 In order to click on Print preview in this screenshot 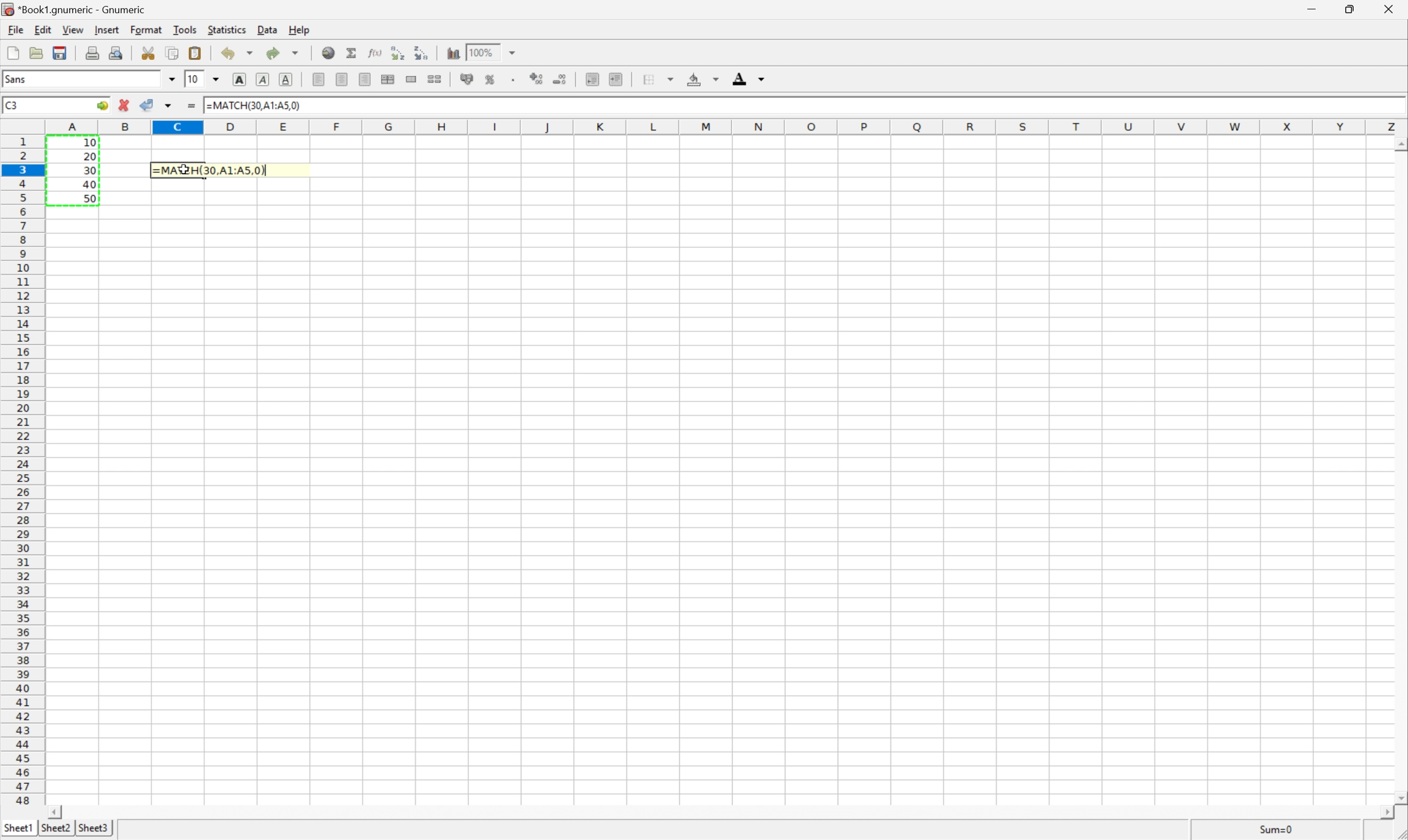, I will do `click(119, 52)`.